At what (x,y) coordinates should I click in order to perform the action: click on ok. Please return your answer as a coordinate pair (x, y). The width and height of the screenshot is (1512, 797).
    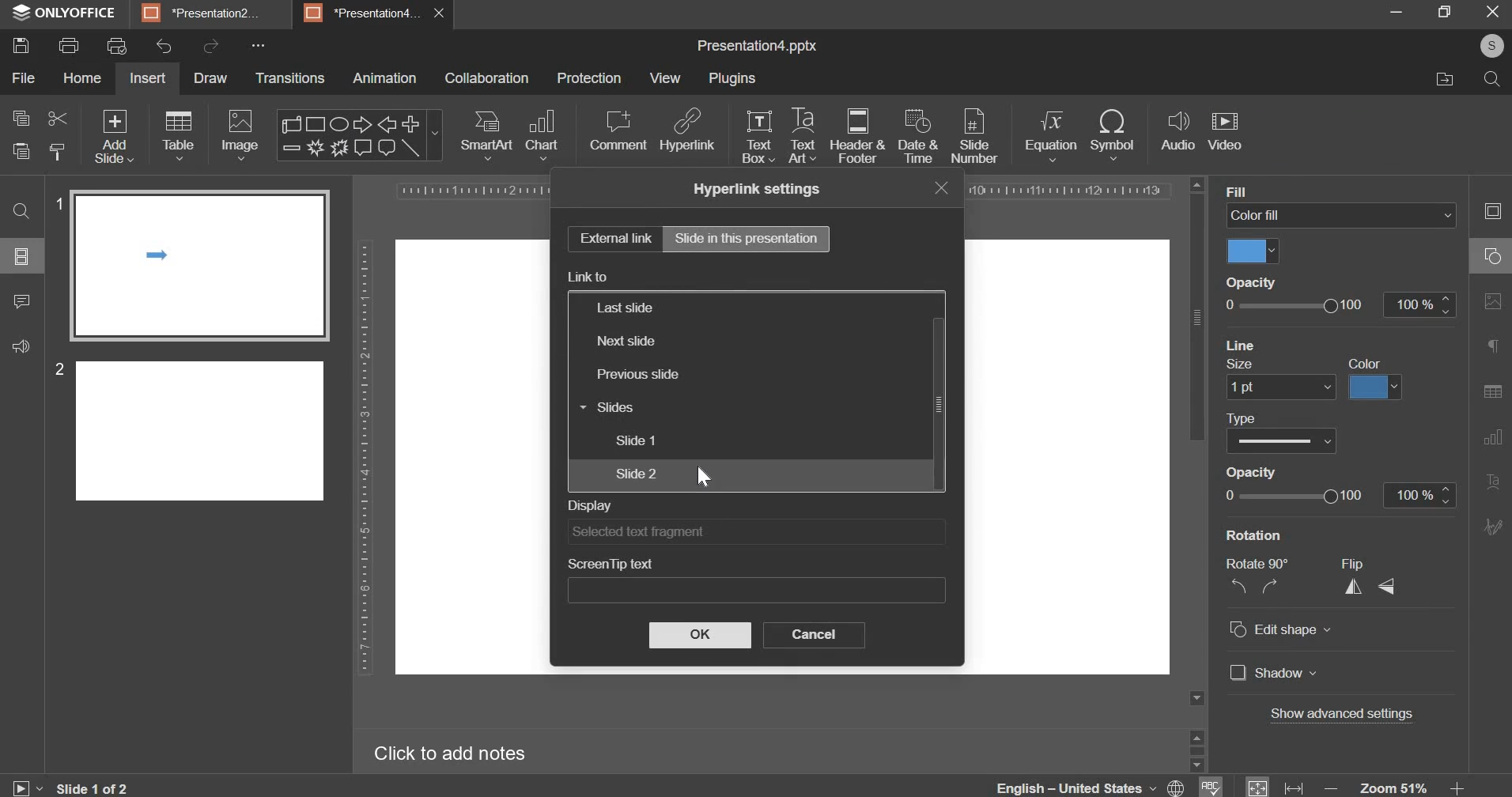
    Looking at the image, I should click on (698, 635).